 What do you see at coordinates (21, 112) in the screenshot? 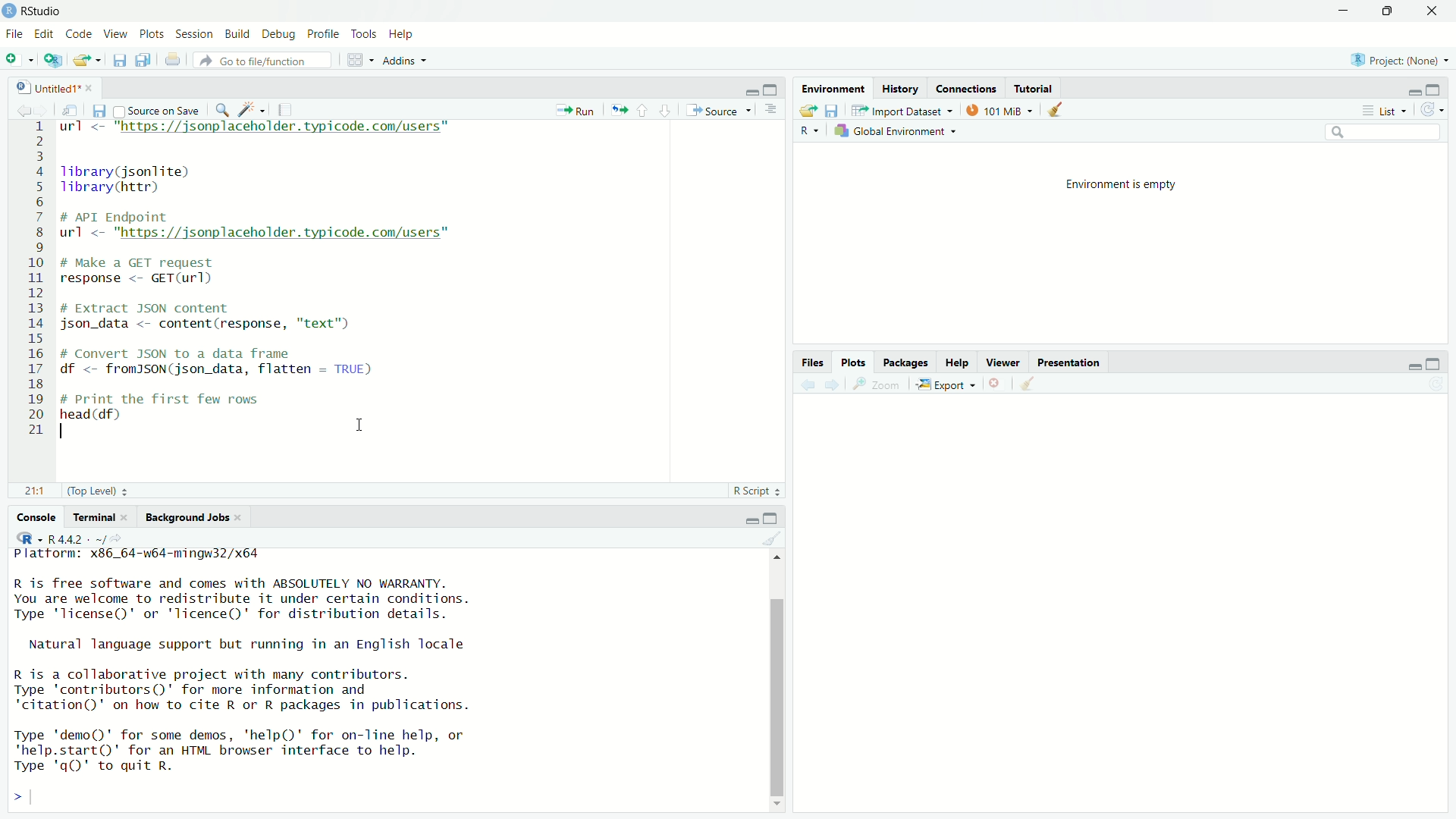
I see `Previous` at bounding box center [21, 112].